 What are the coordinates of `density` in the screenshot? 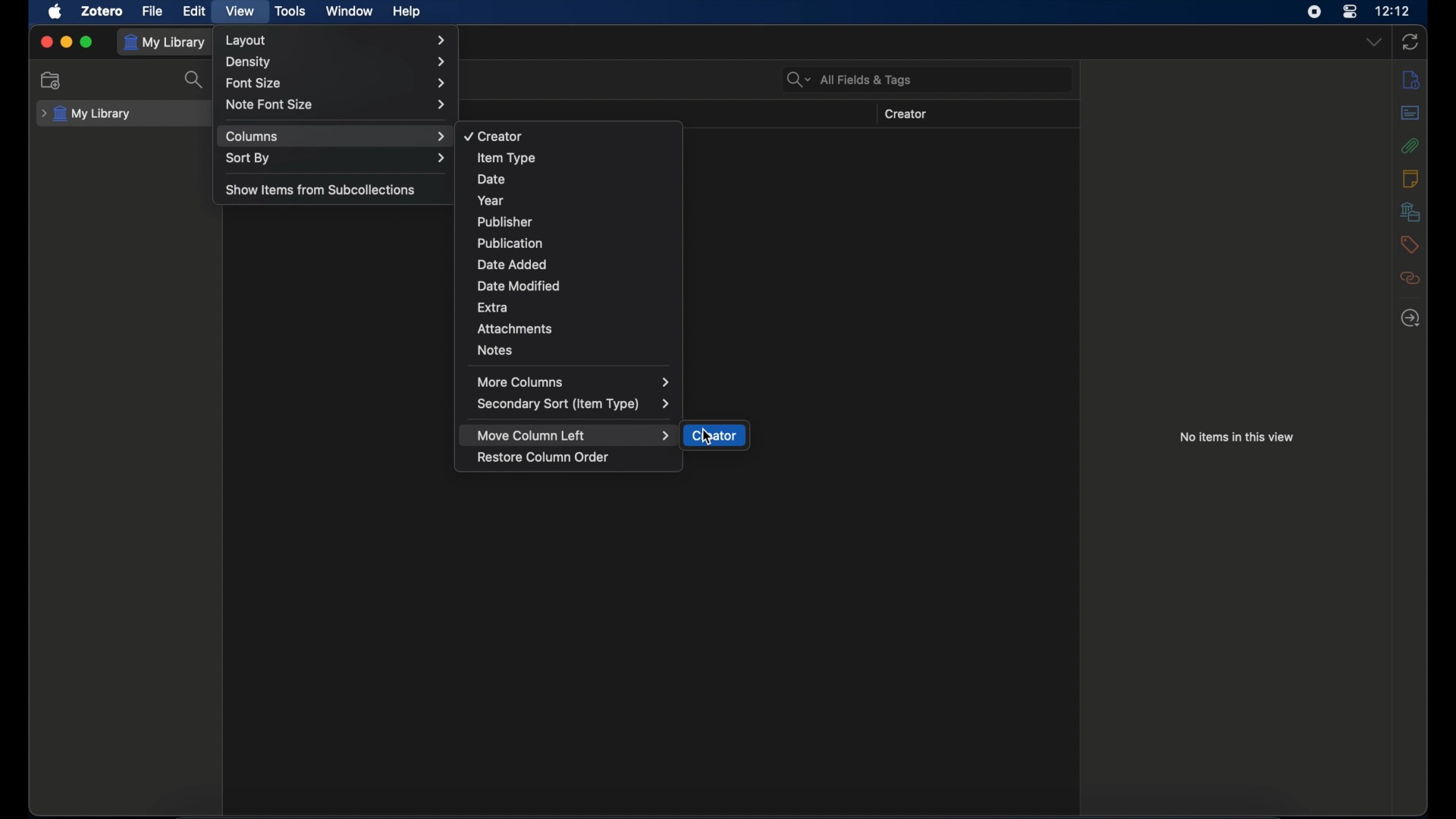 It's located at (336, 62).